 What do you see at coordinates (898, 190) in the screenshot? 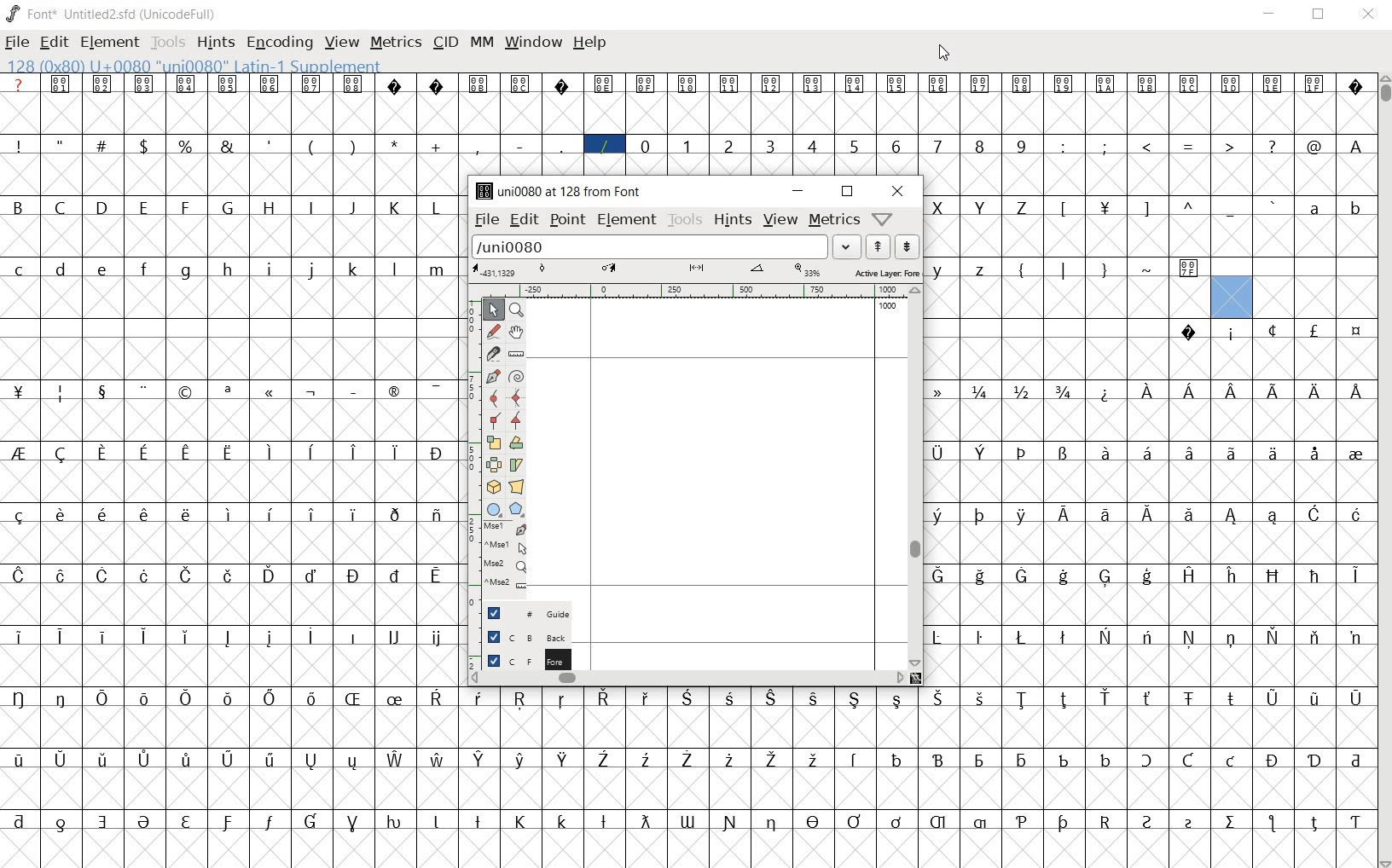
I see `close` at bounding box center [898, 190].